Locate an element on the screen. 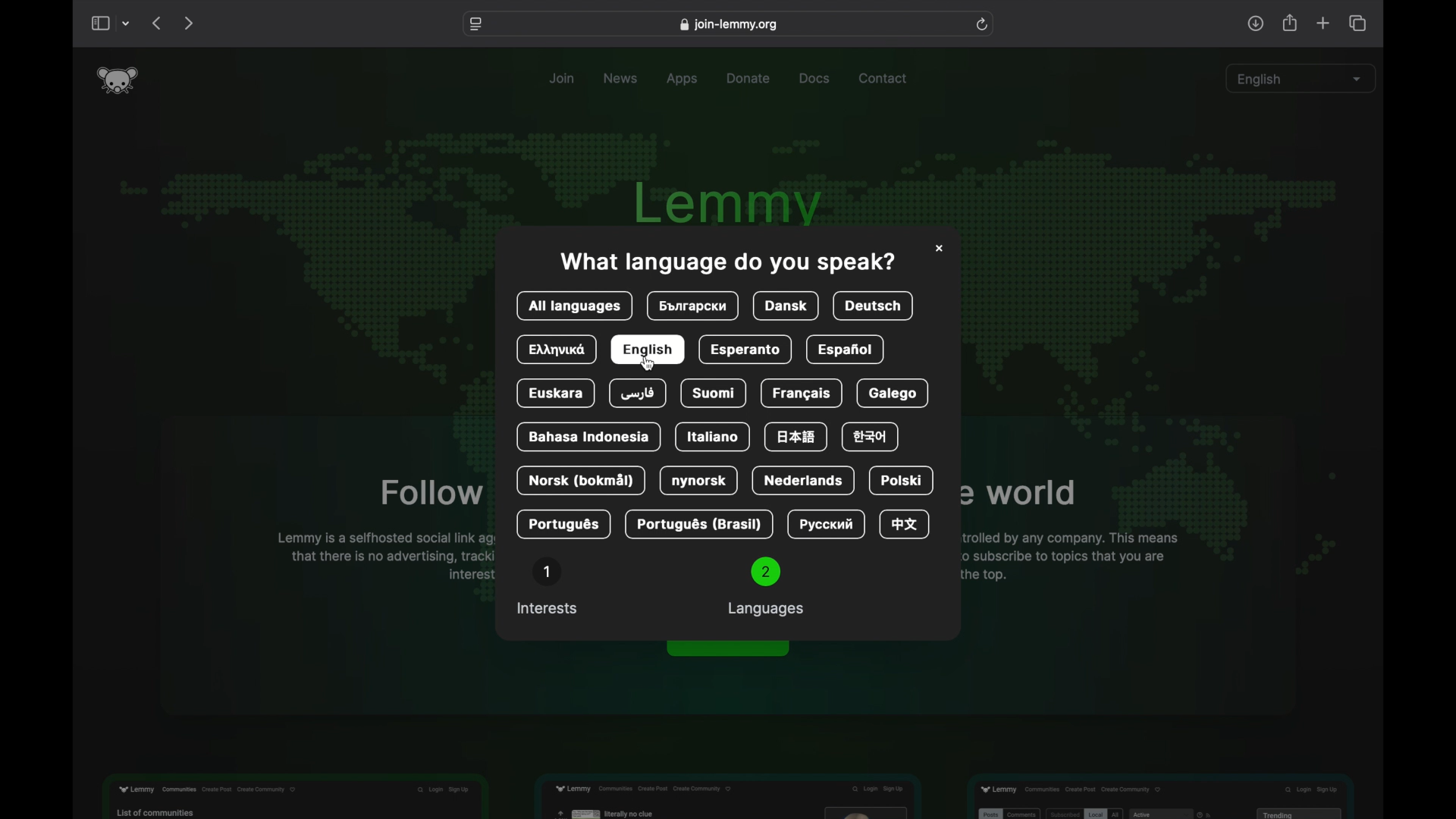  expanol is located at coordinates (845, 350).